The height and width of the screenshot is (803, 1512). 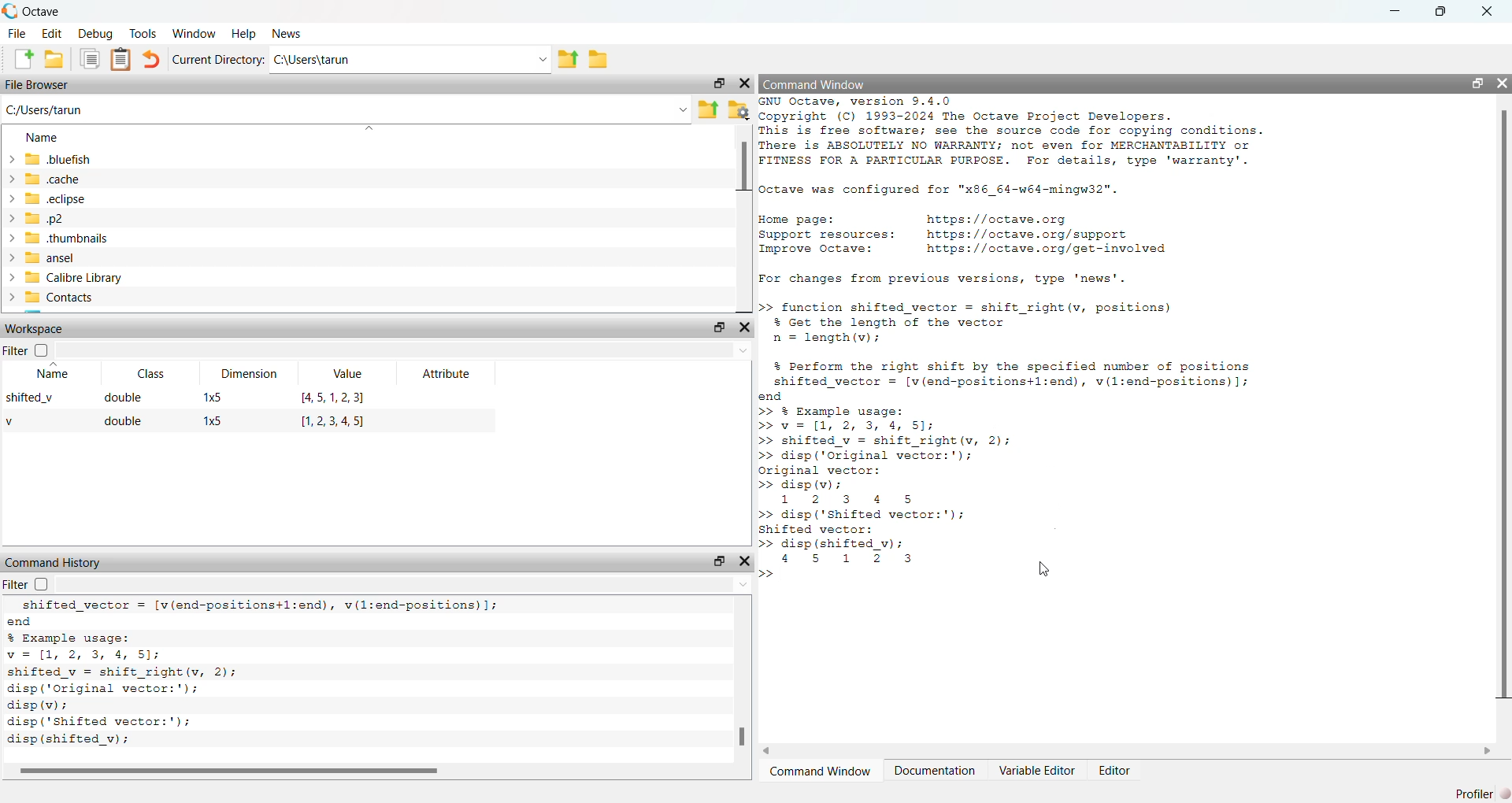 What do you see at coordinates (716, 327) in the screenshot?
I see `unlock widget` at bounding box center [716, 327].